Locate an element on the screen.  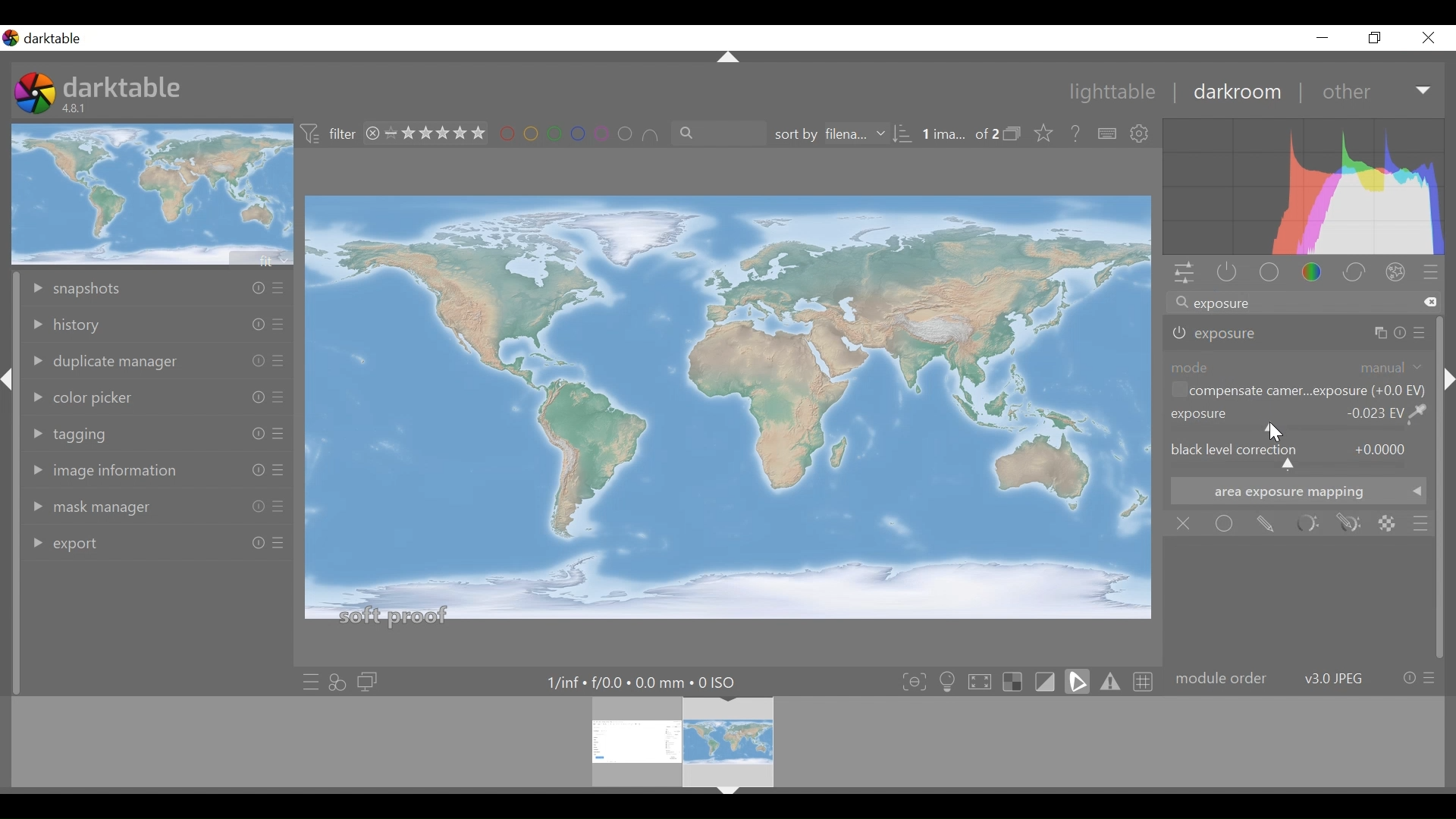
main editing area is located at coordinates (729, 414).